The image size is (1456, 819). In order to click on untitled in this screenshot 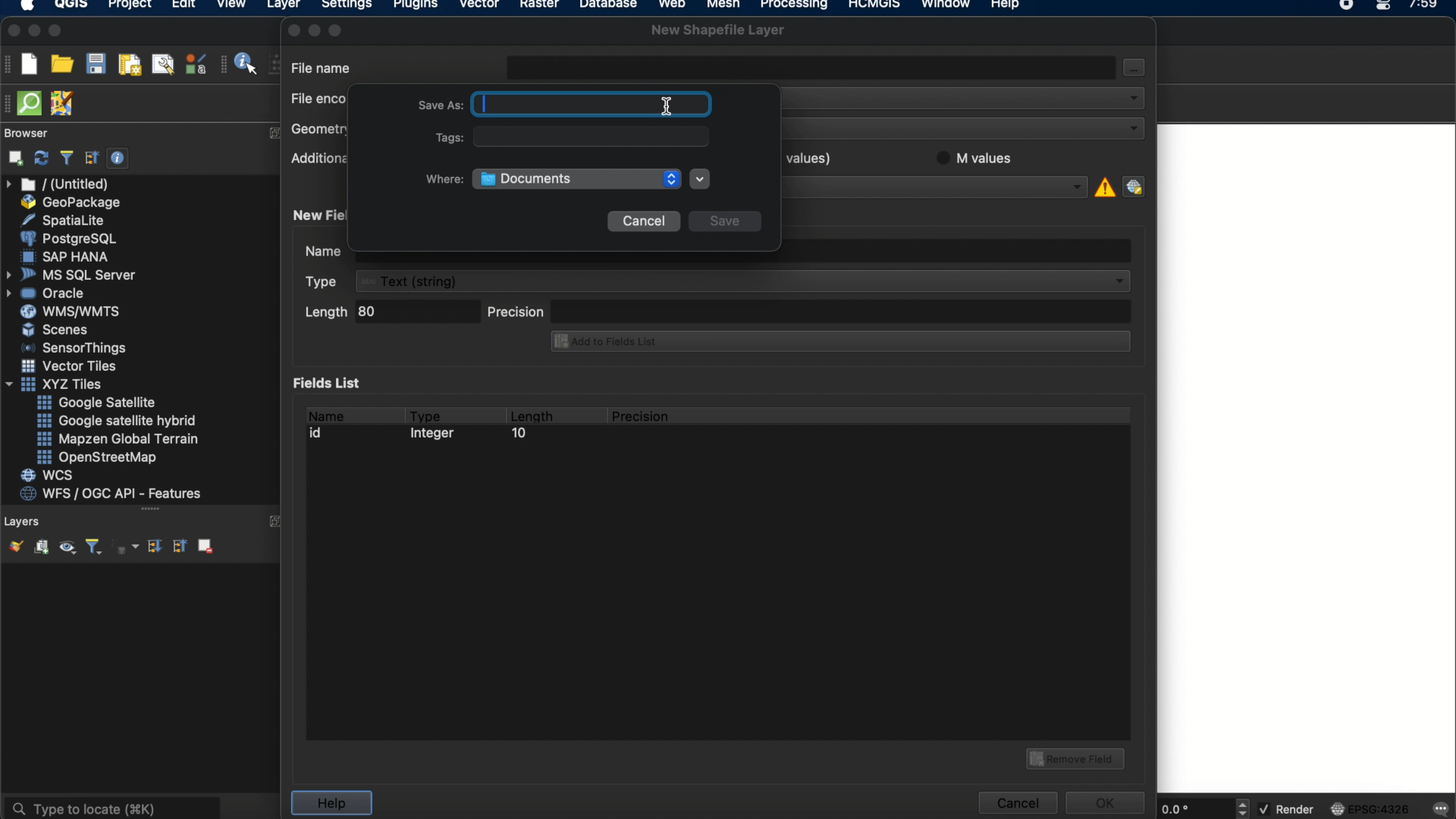, I will do `click(59, 184)`.